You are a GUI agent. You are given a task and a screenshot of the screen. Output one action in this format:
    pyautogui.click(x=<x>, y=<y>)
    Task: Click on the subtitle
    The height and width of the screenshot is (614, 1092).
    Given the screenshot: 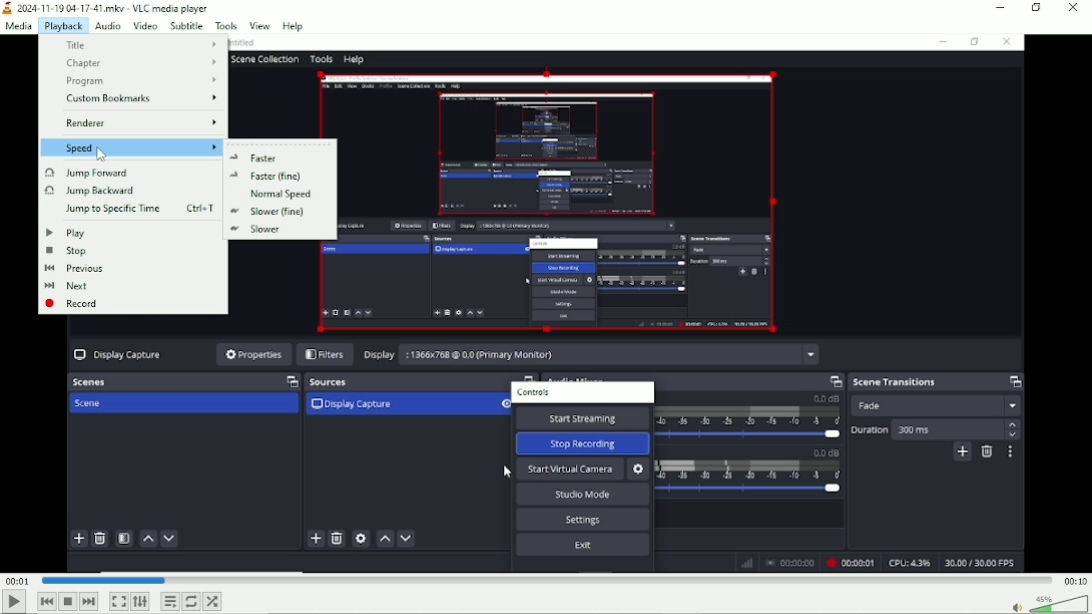 What is the action you would take?
    pyautogui.click(x=185, y=24)
    